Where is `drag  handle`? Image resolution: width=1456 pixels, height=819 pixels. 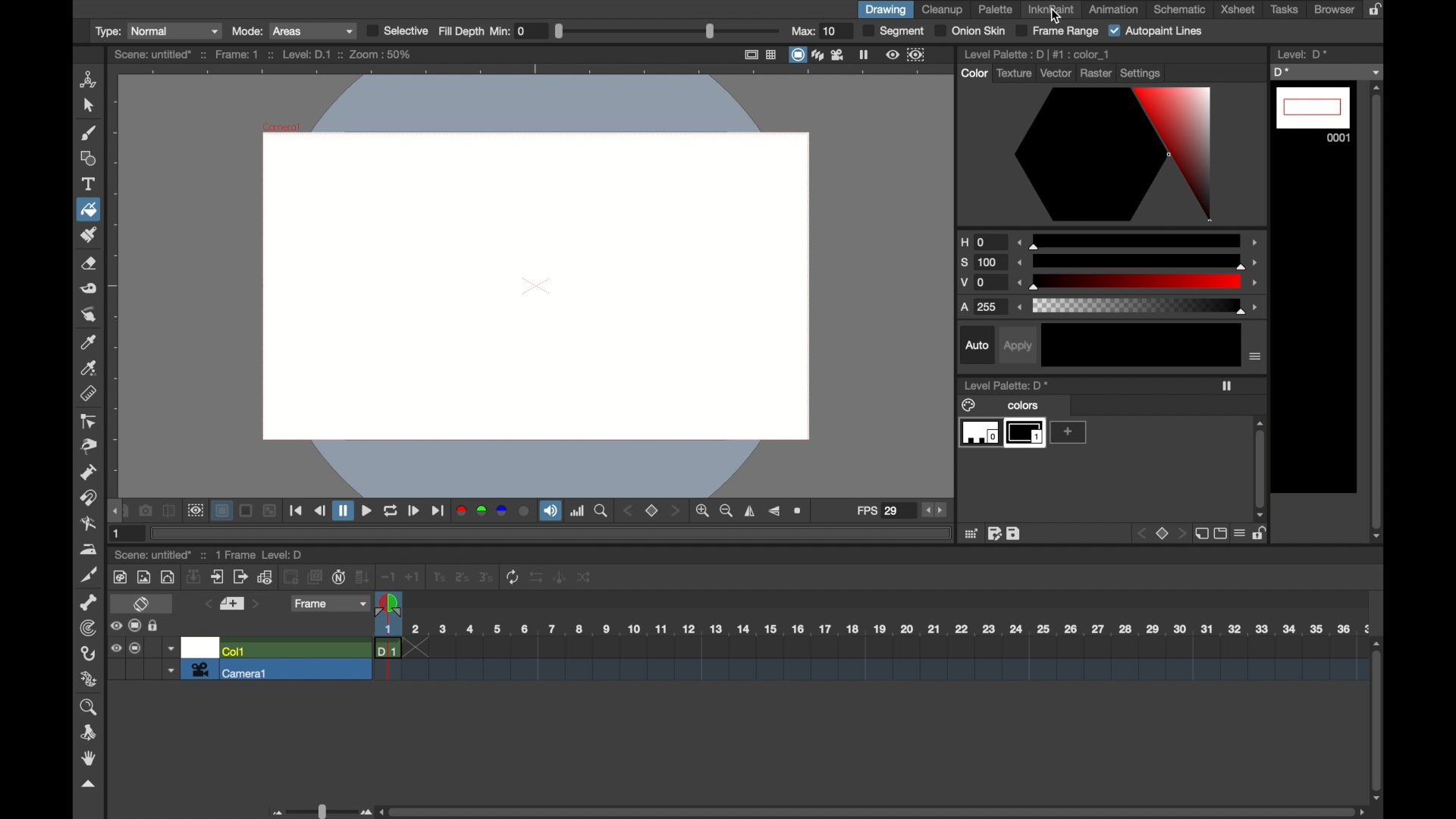 drag  handle is located at coordinates (115, 511).